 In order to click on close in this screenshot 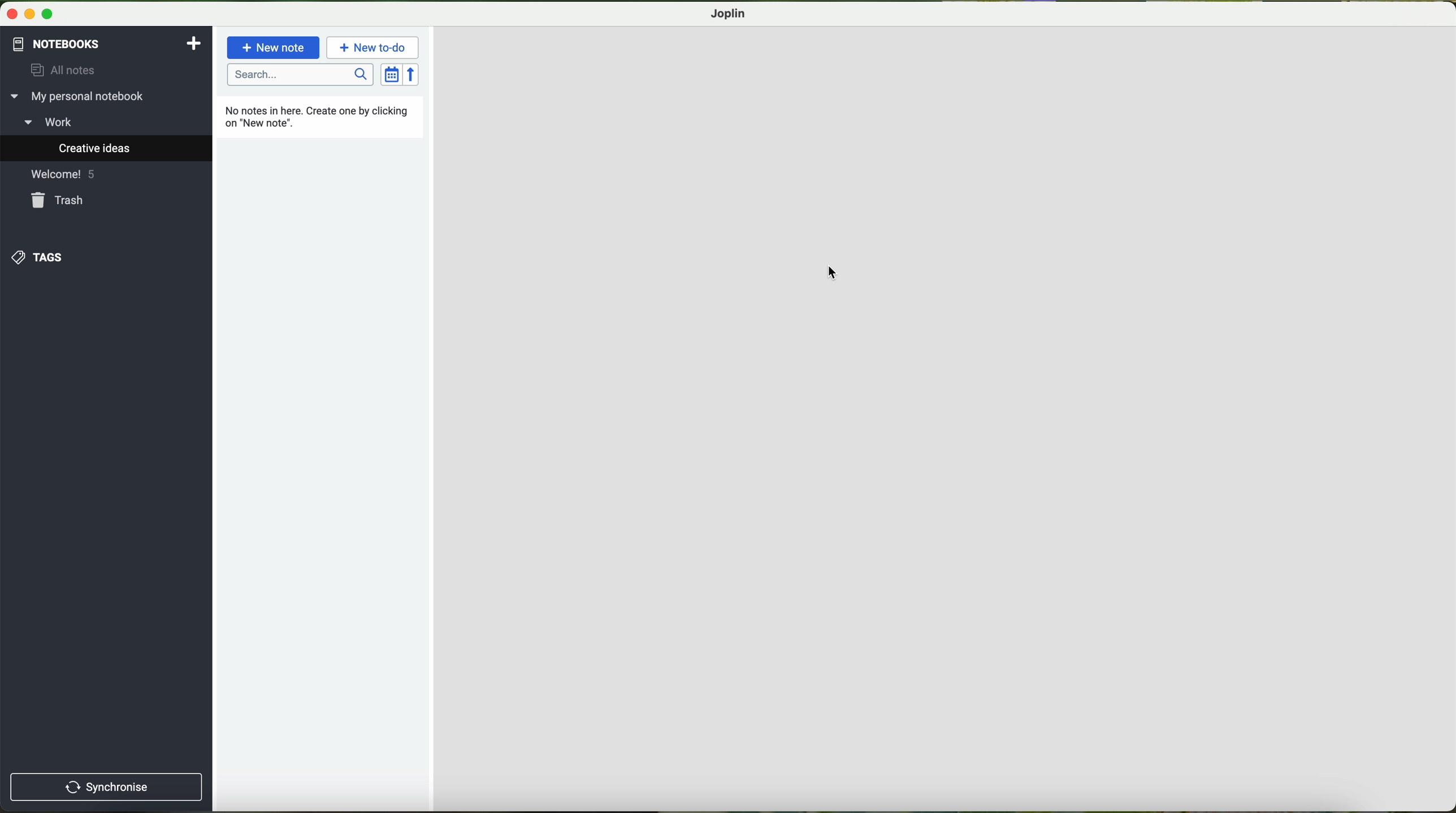, I will do `click(13, 14)`.